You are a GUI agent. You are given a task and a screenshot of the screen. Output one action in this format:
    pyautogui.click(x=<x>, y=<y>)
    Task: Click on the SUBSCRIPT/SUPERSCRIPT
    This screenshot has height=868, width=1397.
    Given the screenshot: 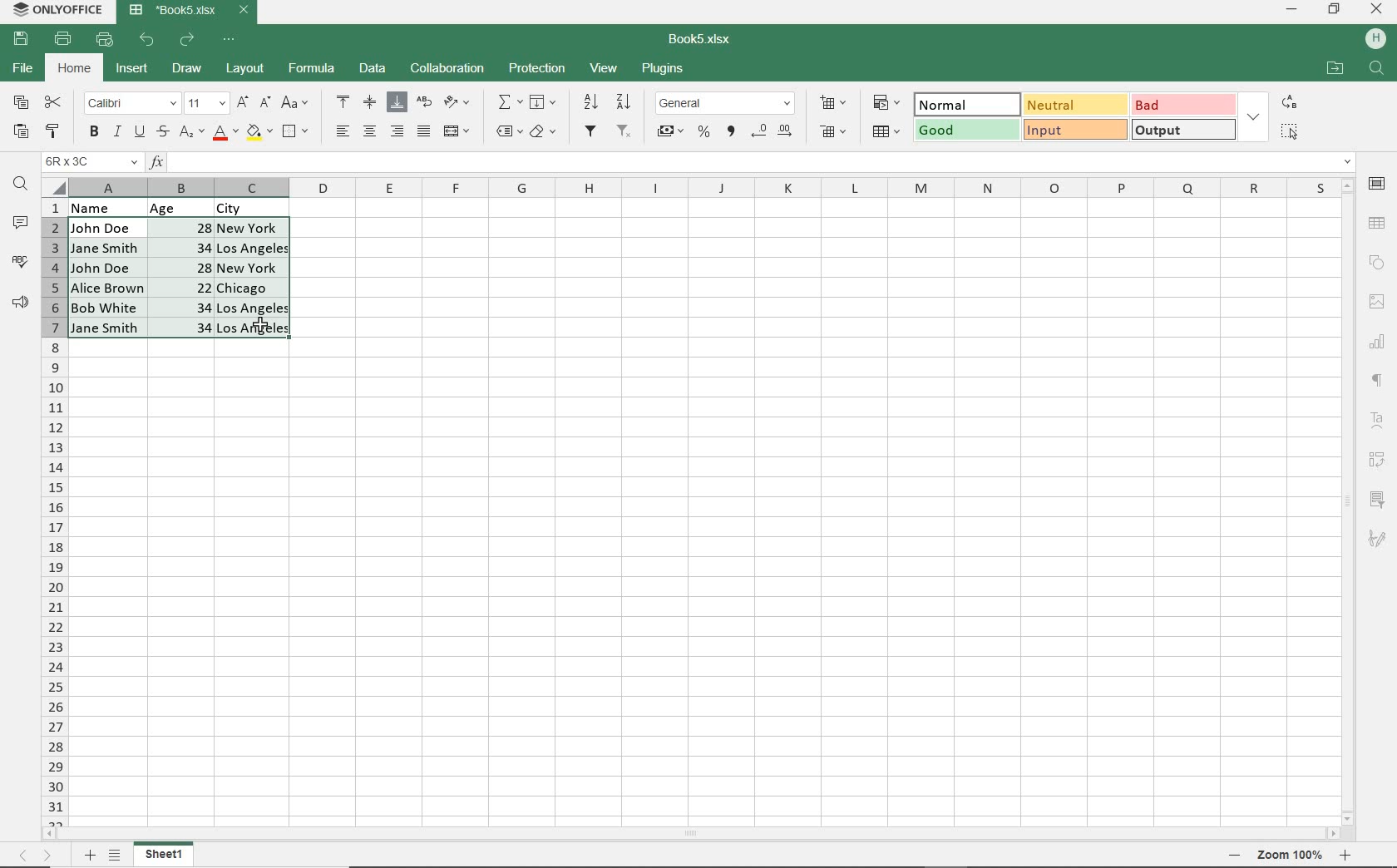 What is the action you would take?
    pyautogui.click(x=190, y=131)
    